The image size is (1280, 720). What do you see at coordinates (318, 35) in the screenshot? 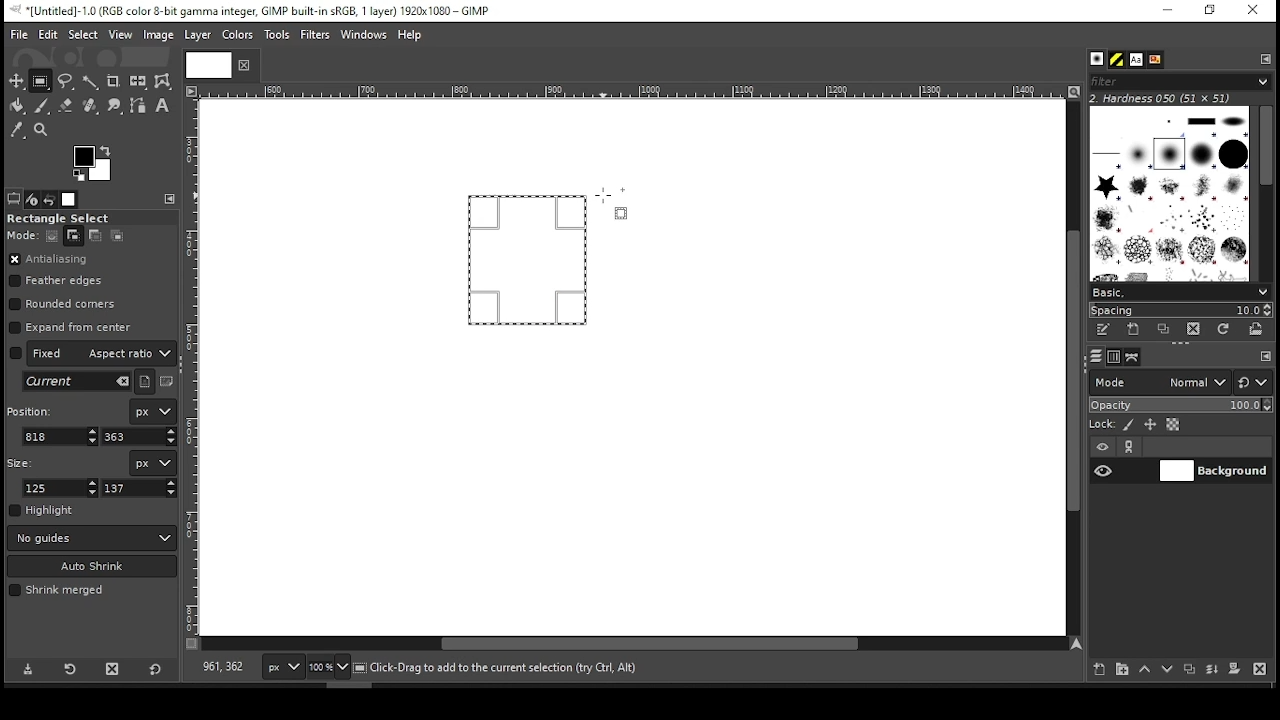
I see `filters` at bounding box center [318, 35].